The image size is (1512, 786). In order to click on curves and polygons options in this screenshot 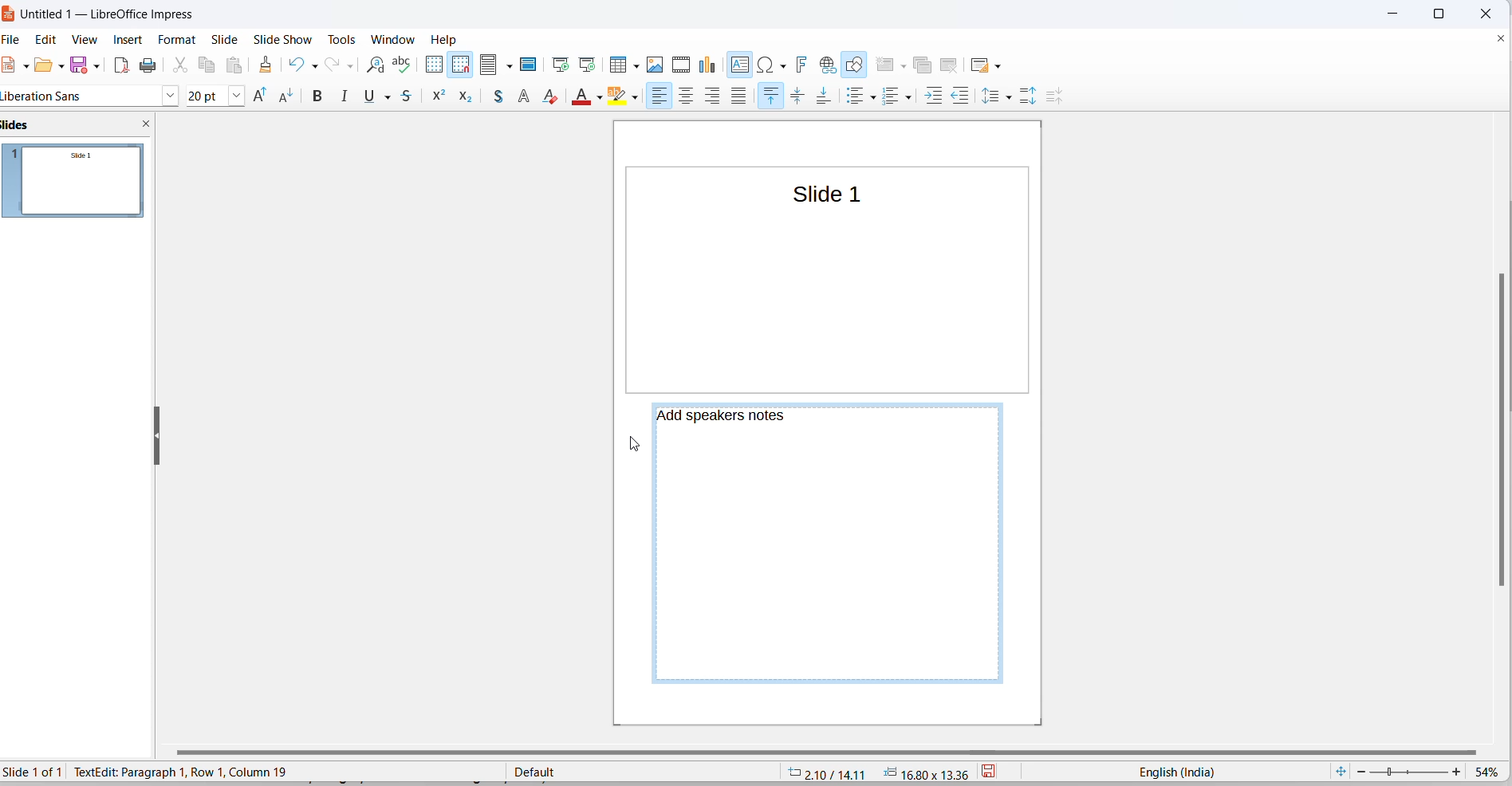, I will do `click(286, 96)`.